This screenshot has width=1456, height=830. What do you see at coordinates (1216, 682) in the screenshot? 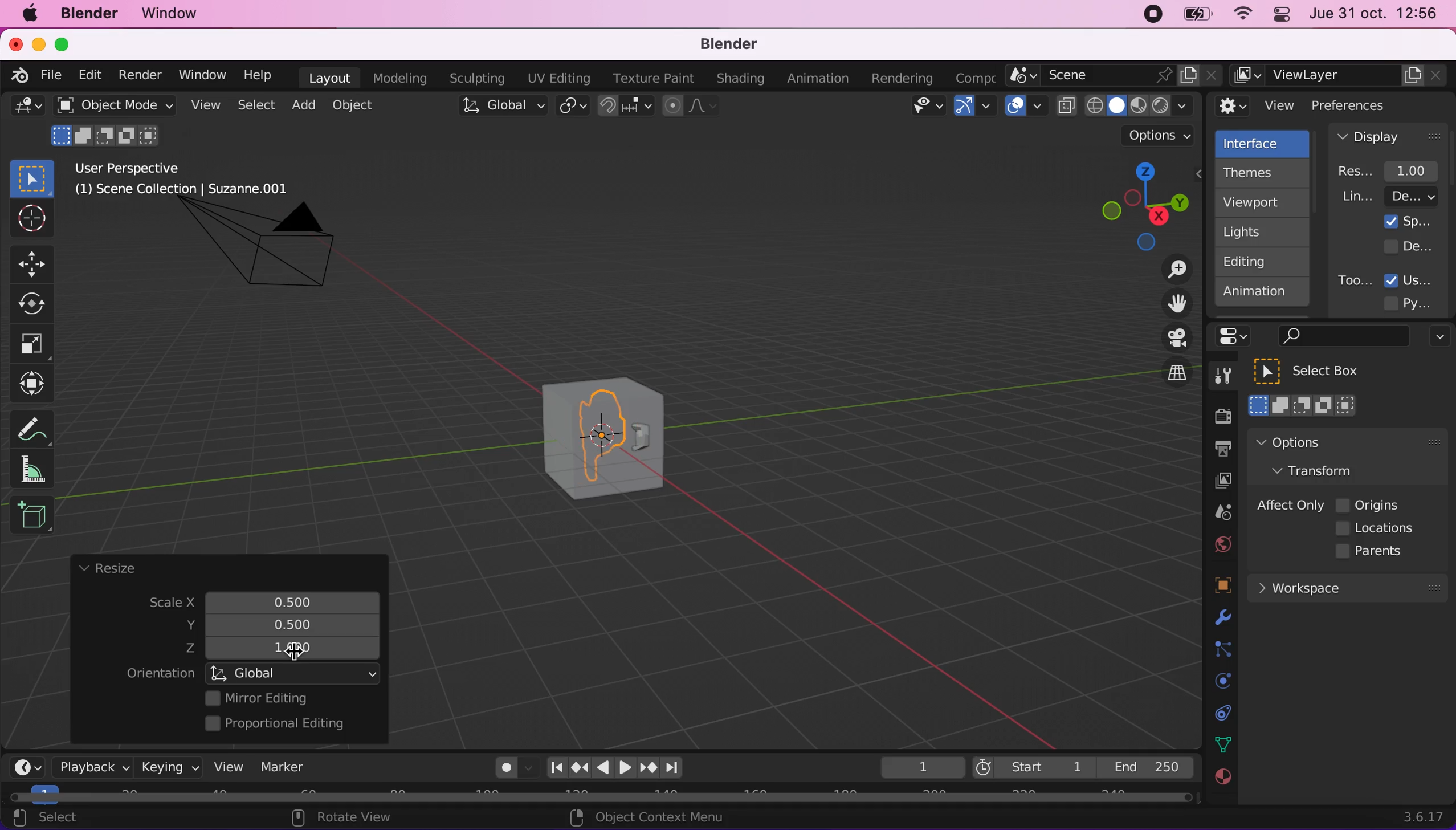
I see `physics prompts` at bounding box center [1216, 682].